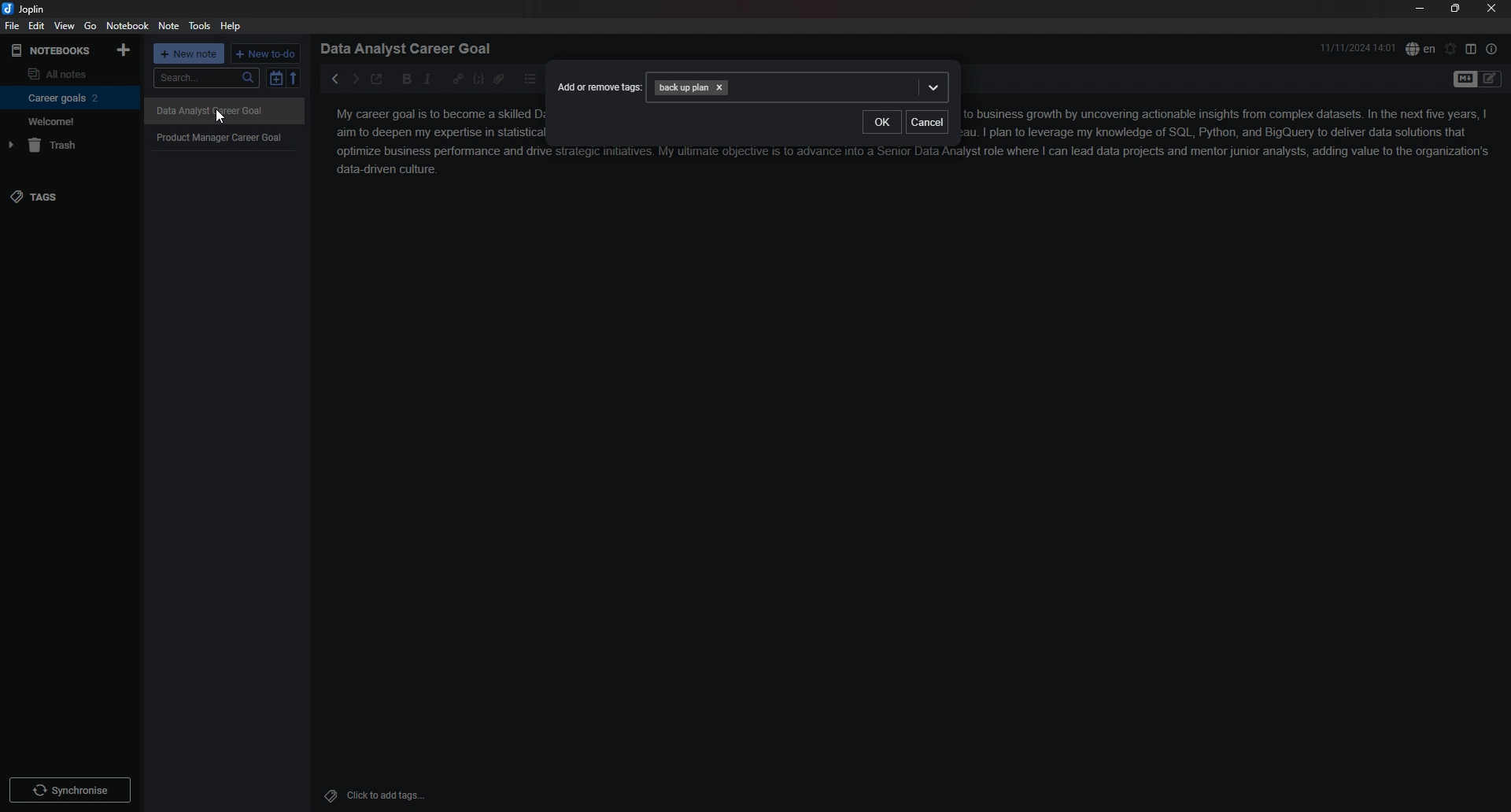 The width and height of the screenshot is (1511, 812). I want to click on Click to add tags..., so click(386, 795).